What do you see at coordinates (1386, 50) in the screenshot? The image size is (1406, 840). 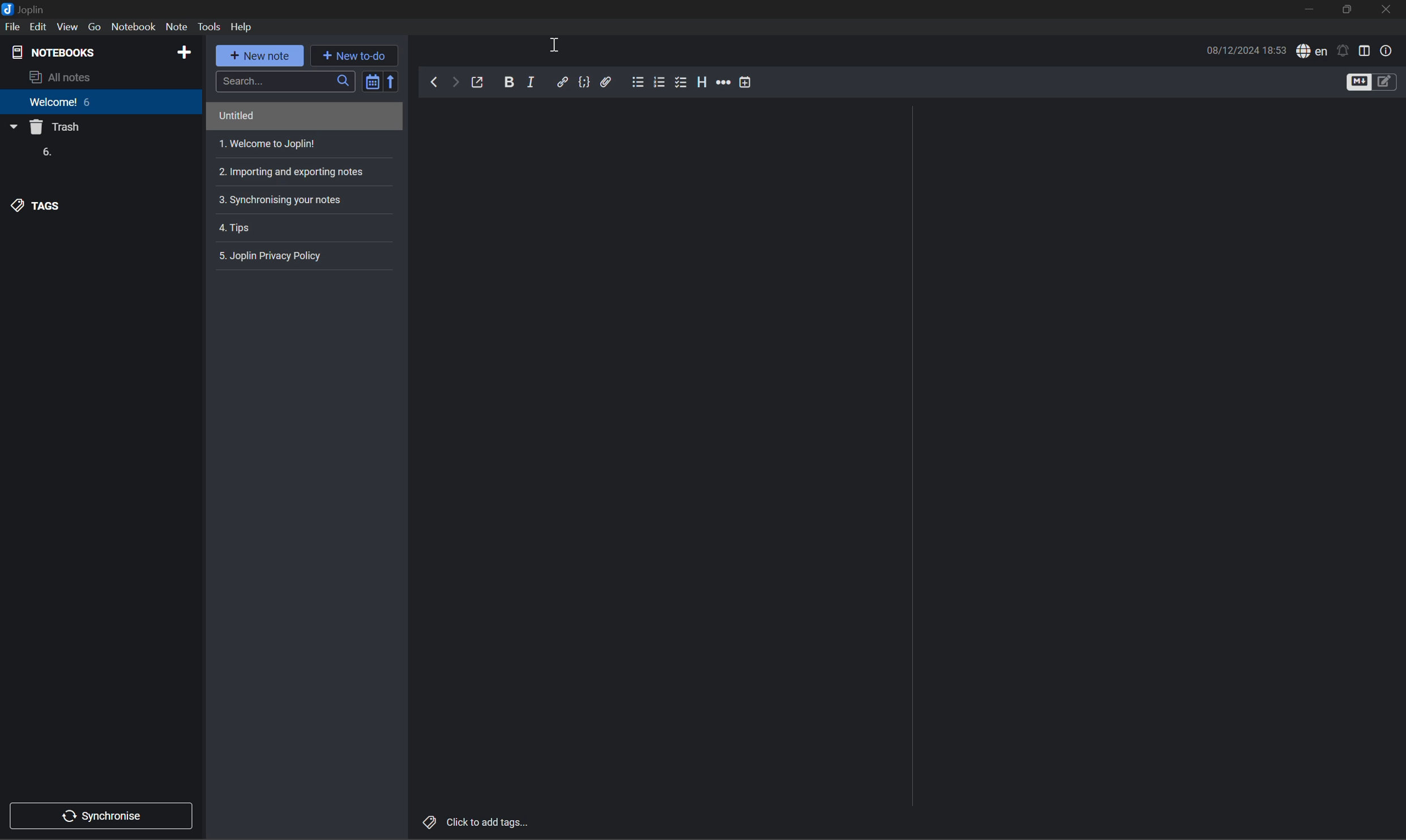 I see `Note properties` at bounding box center [1386, 50].